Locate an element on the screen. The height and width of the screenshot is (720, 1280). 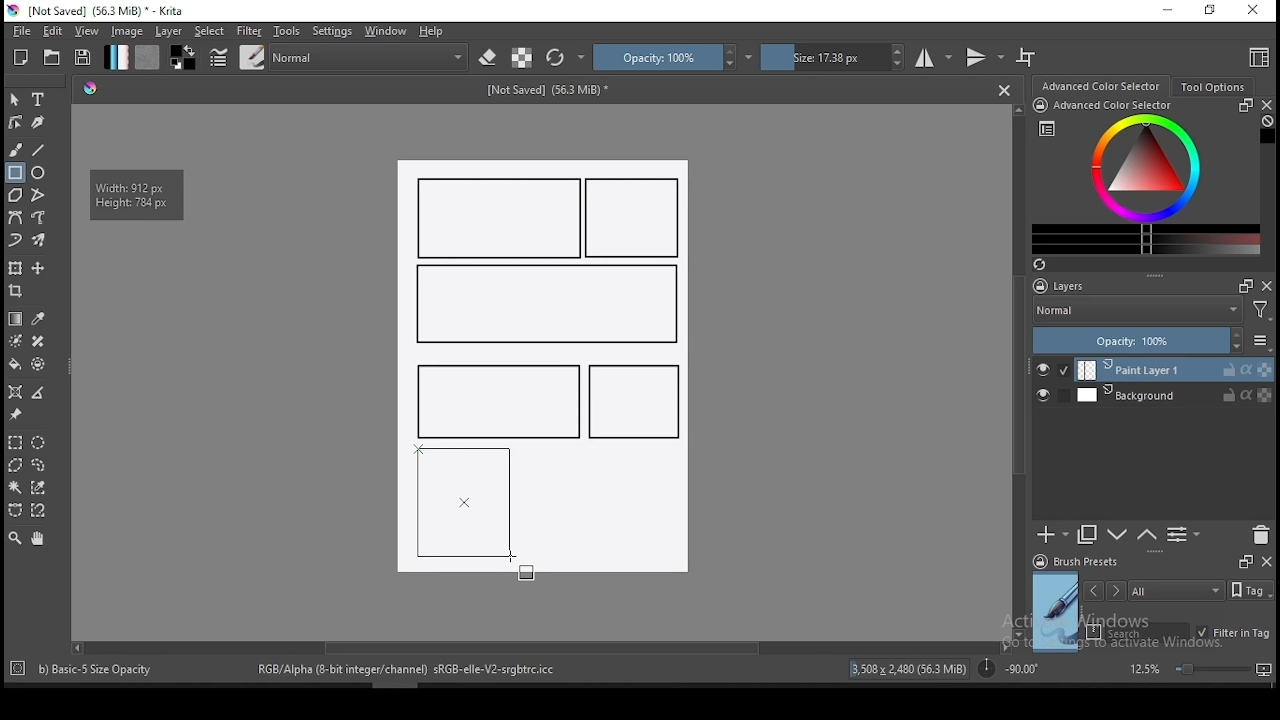
reference images tool is located at coordinates (14, 415).